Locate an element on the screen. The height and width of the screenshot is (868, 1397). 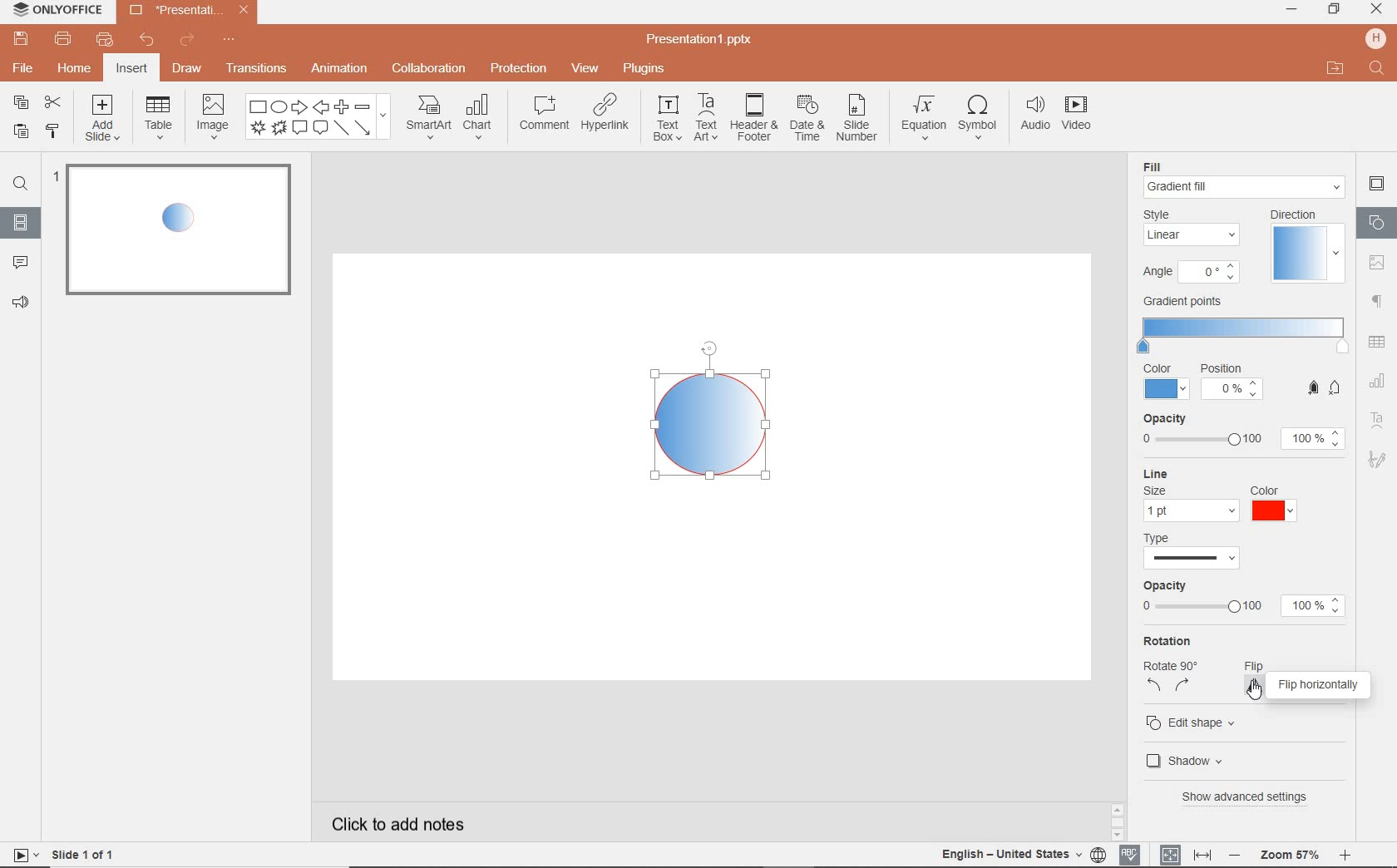
slides is located at coordinates (21, 225).